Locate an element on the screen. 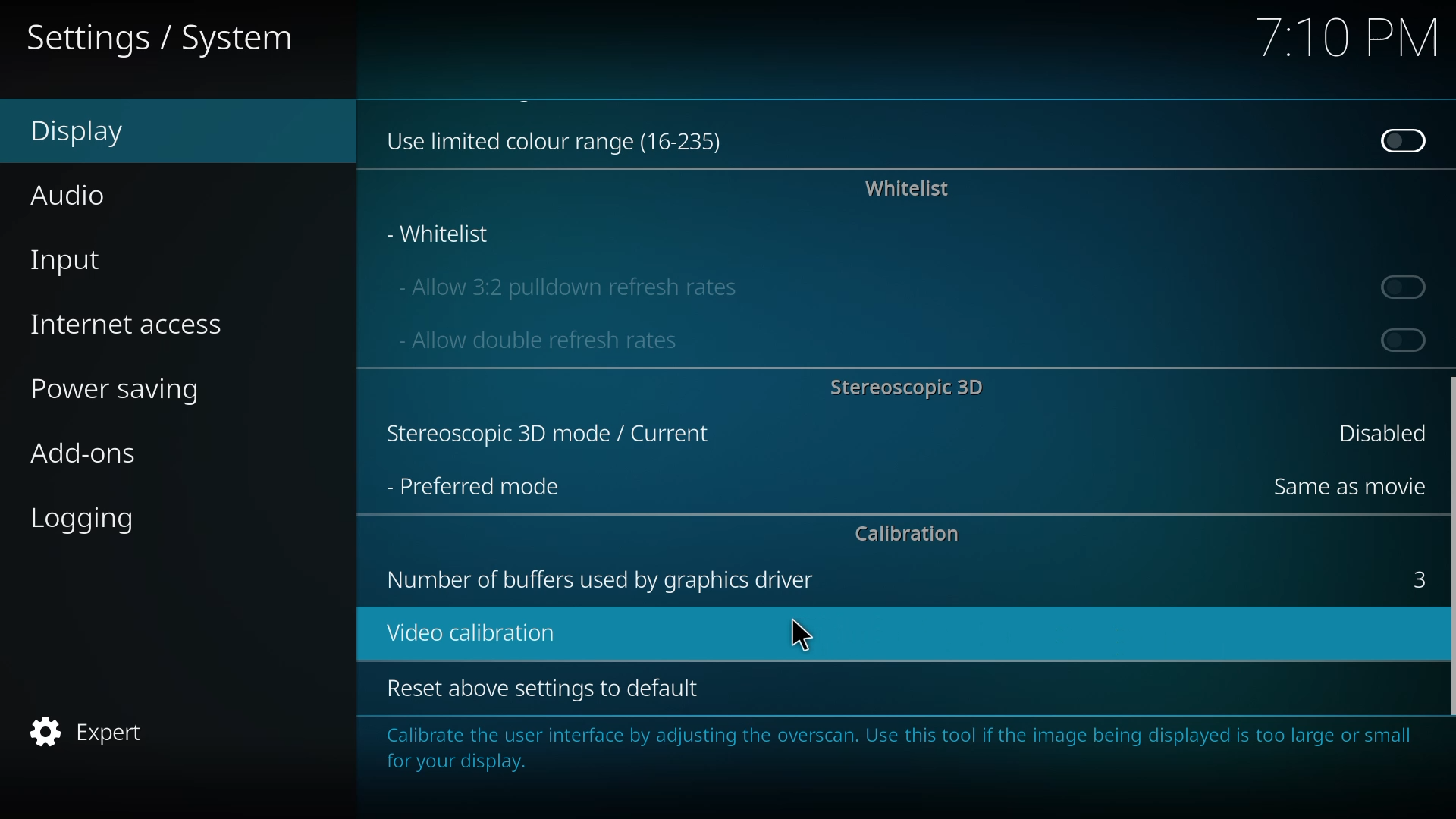 The image size is (1456, 819). dragged here is located at coordinates (1452, 551).